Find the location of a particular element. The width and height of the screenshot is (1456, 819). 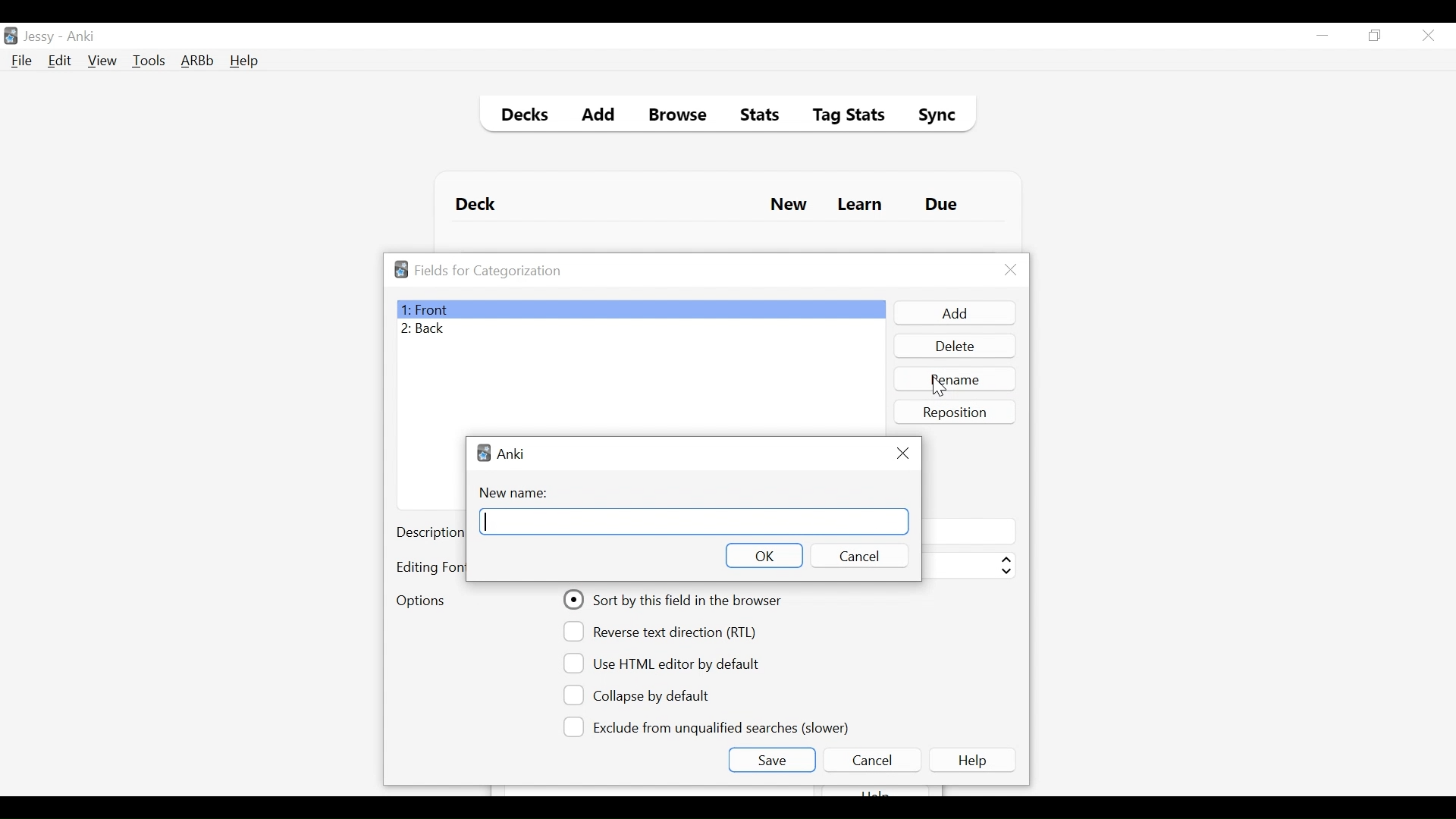

Due is located at coordinates (943, 205).